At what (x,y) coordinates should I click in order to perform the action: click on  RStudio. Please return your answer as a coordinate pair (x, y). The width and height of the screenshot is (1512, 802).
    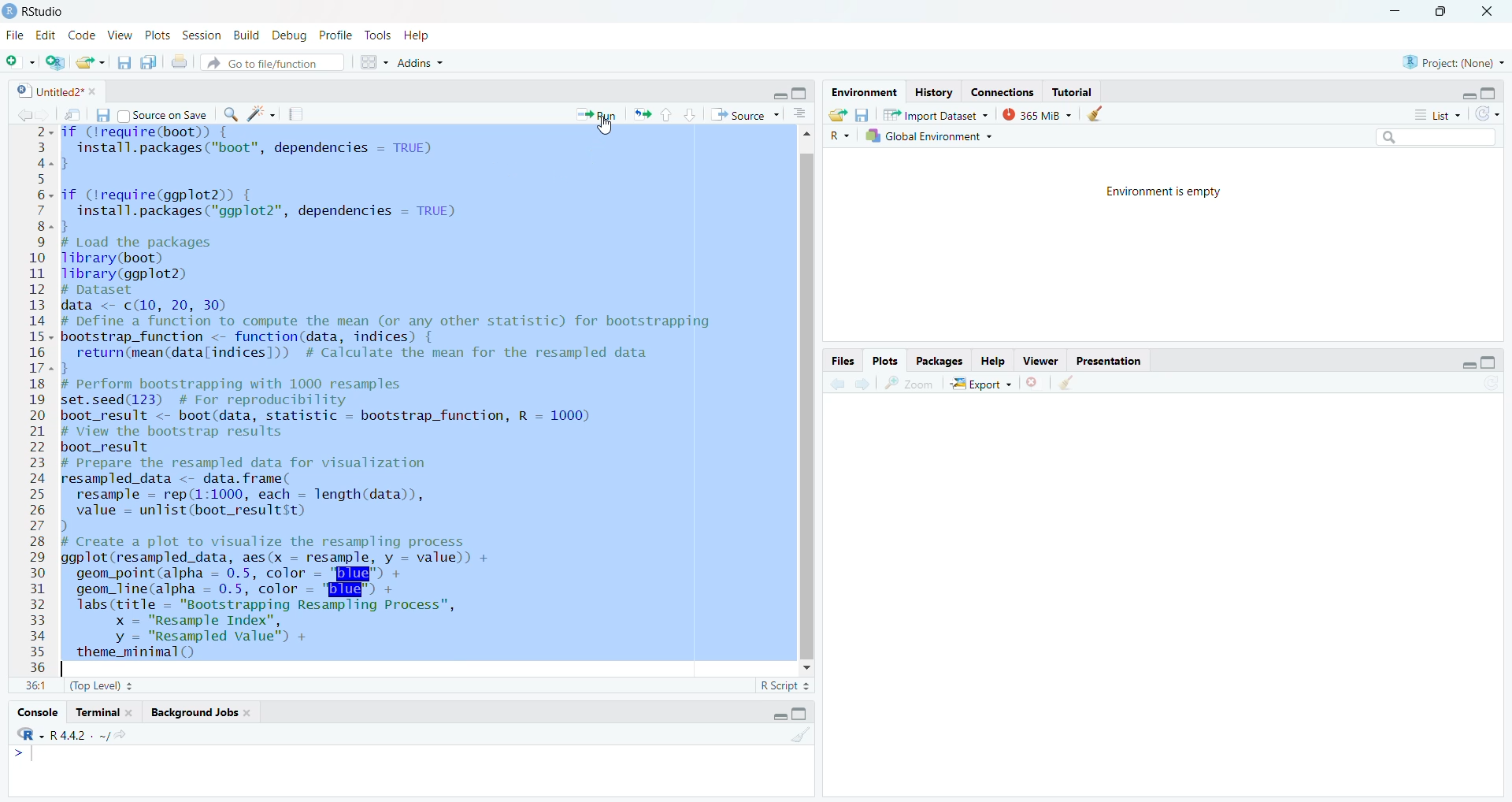
    Looking at the image, I should click on (43, 9).